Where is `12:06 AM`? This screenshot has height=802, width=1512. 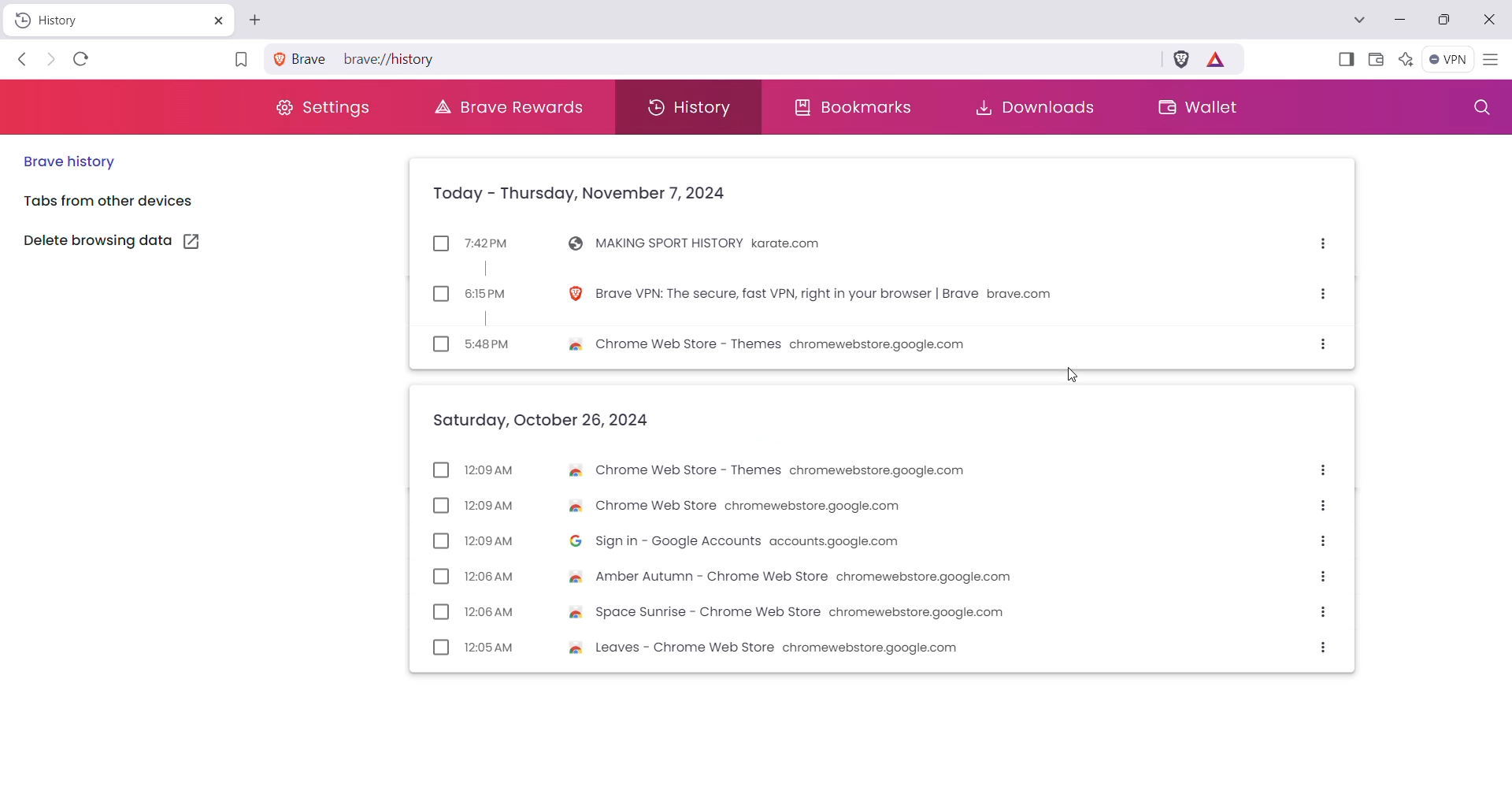
12:06 AM is located at coordinates (496, 577).